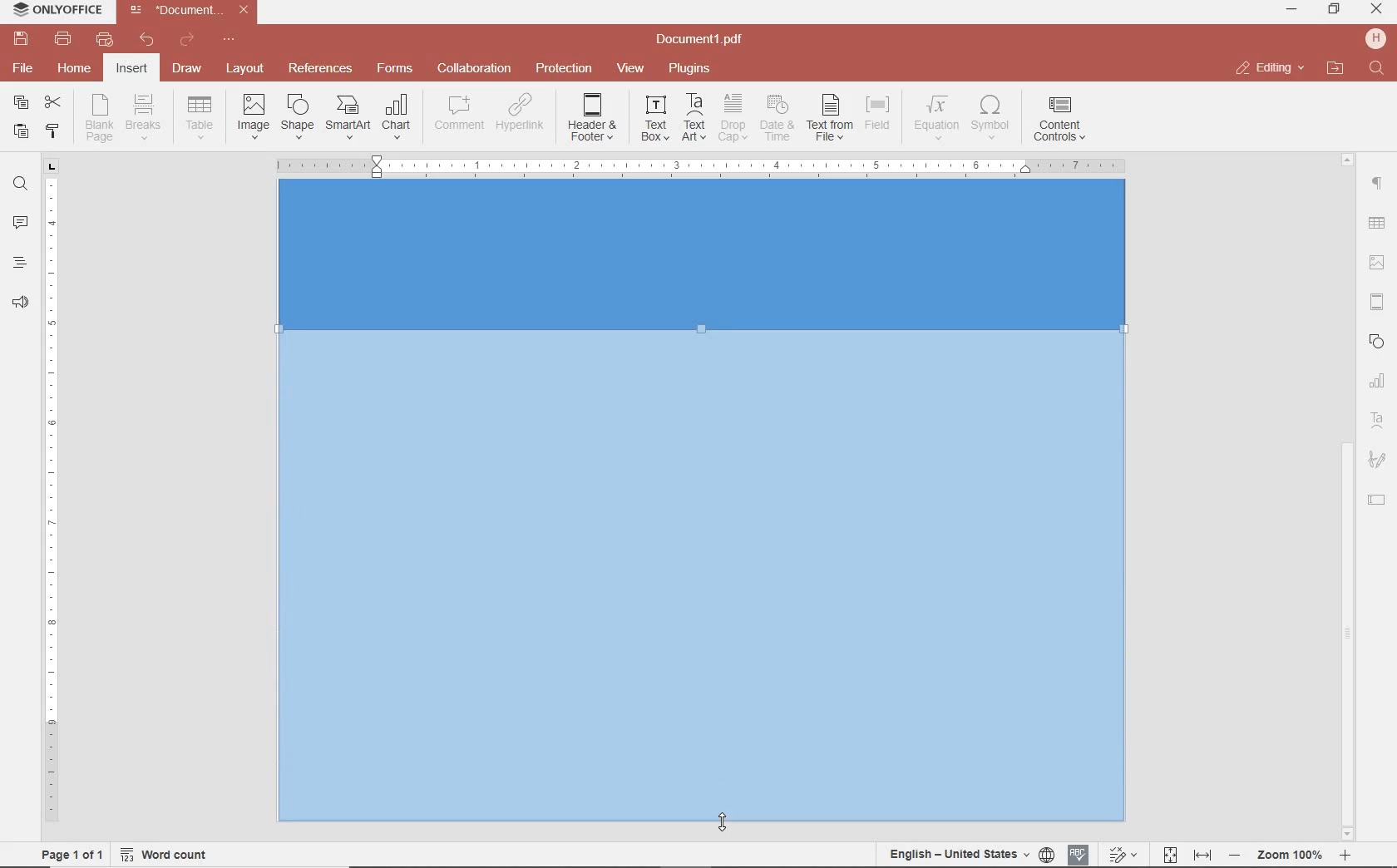 The image size is (1397, 868). What do you see at coordinates (935, 116) in the screenshot?
I see `NSERT EQUATION` at bounding box center [935, 116].